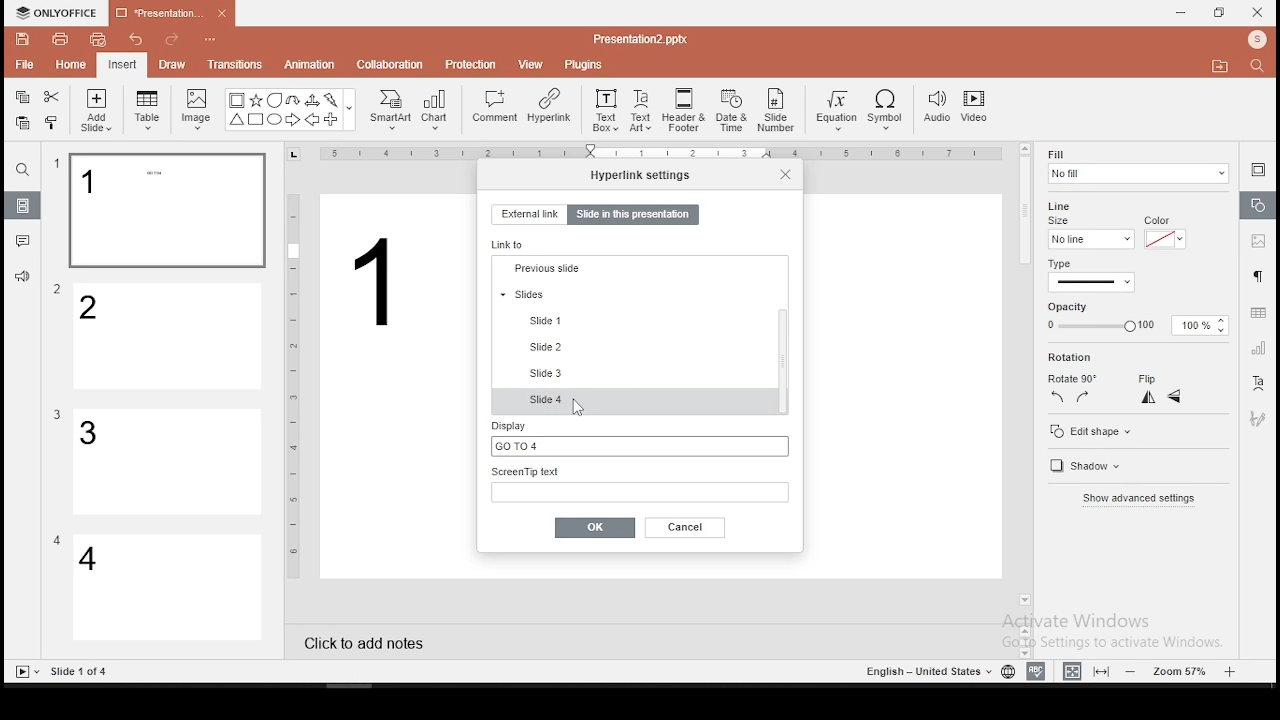 The height and width of the screenshot is (720, 1280). I want to click on Profile, so click(1259, 40).